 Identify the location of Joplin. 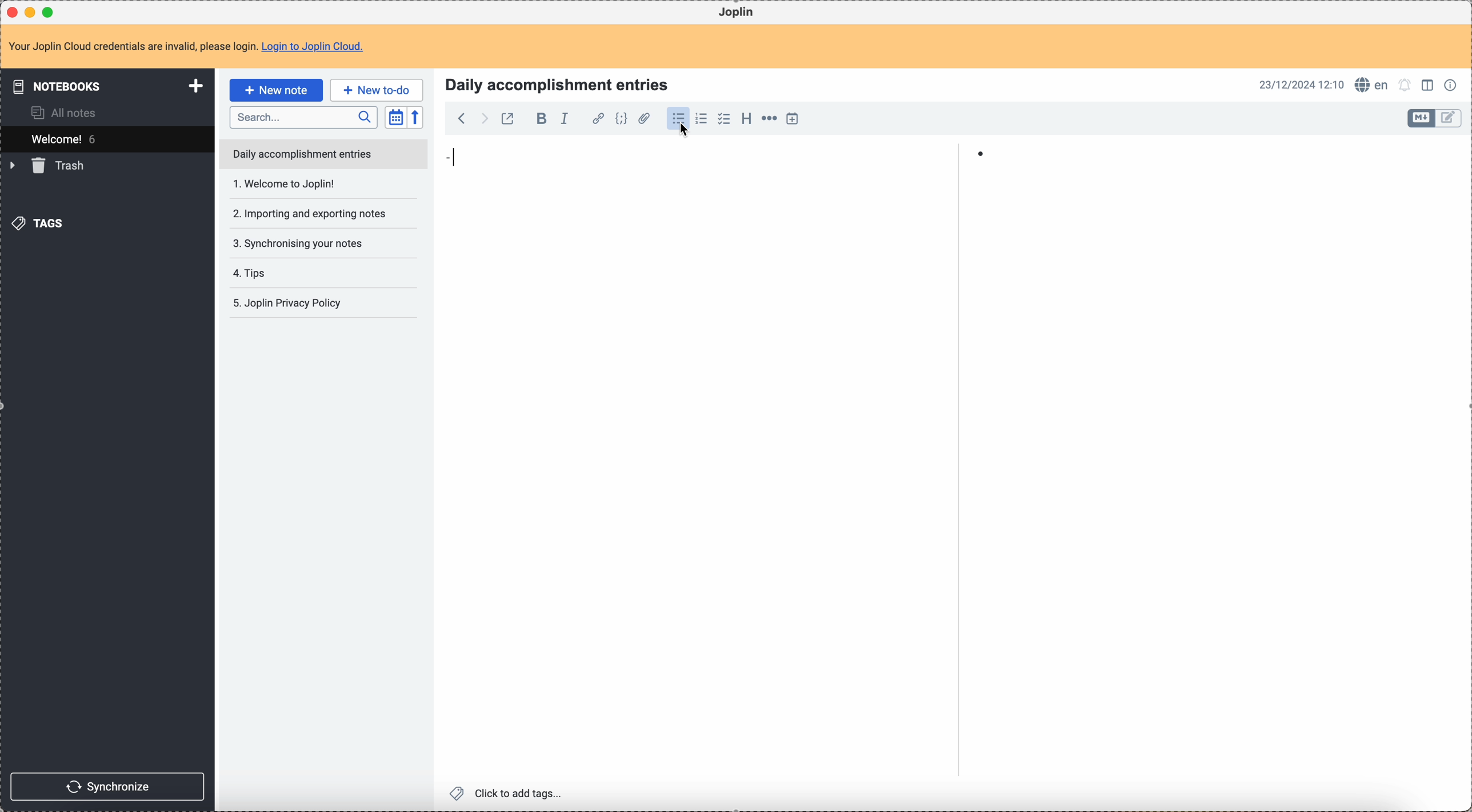
(738, 13).